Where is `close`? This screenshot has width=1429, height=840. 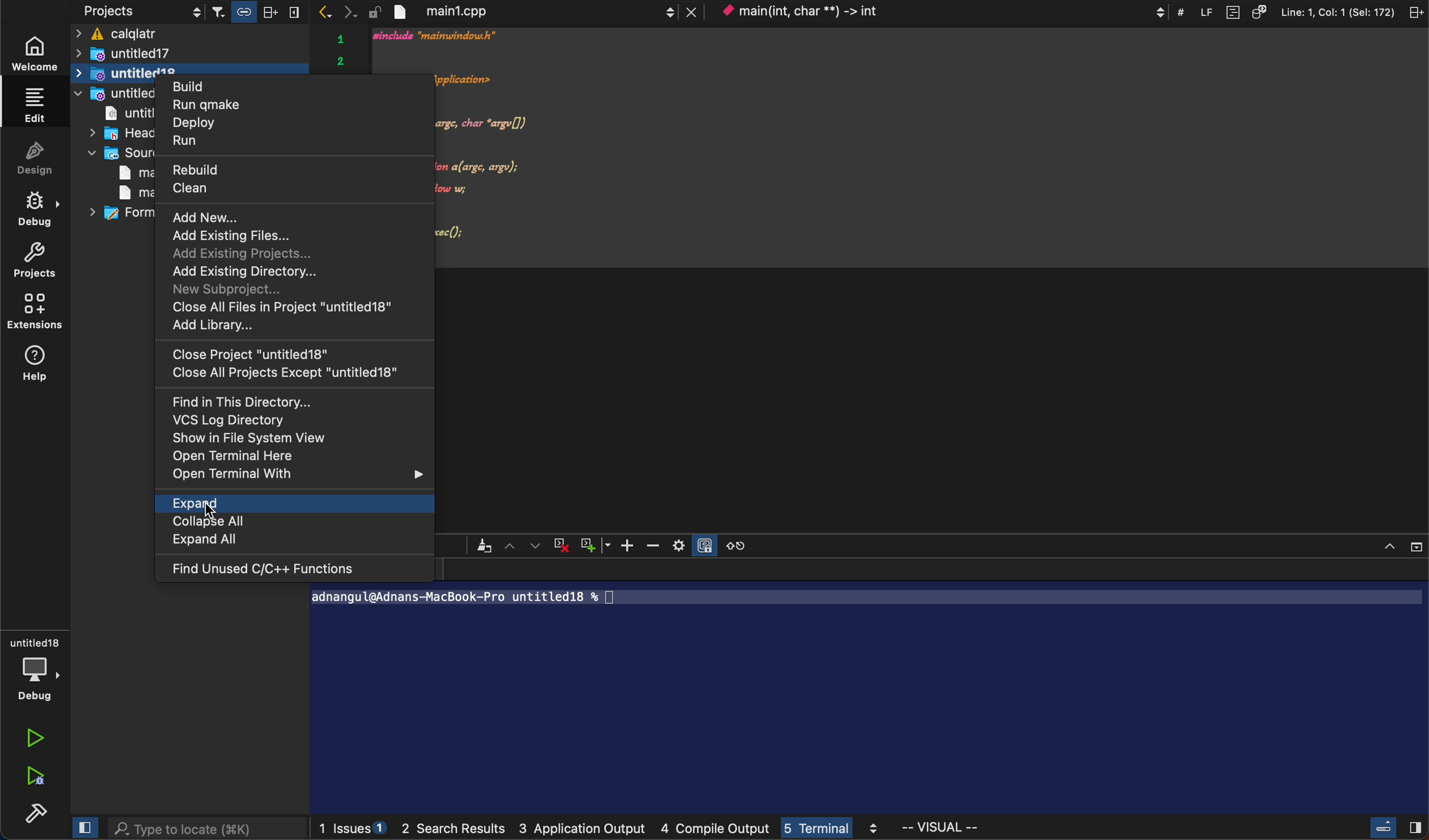
close is located at coordinates (1398, 544).